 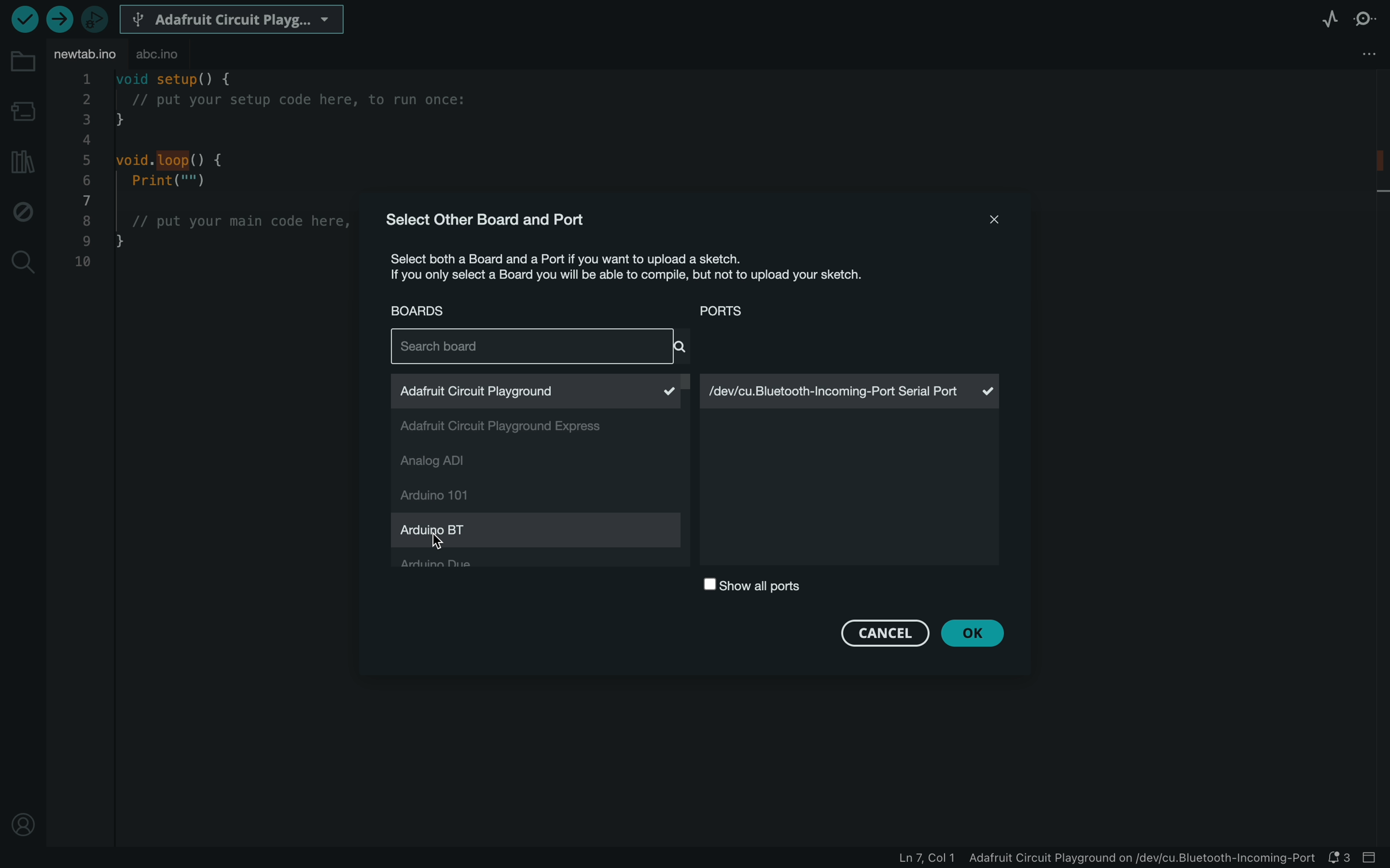 I want to click on serial port, so click(x=853, y=392).